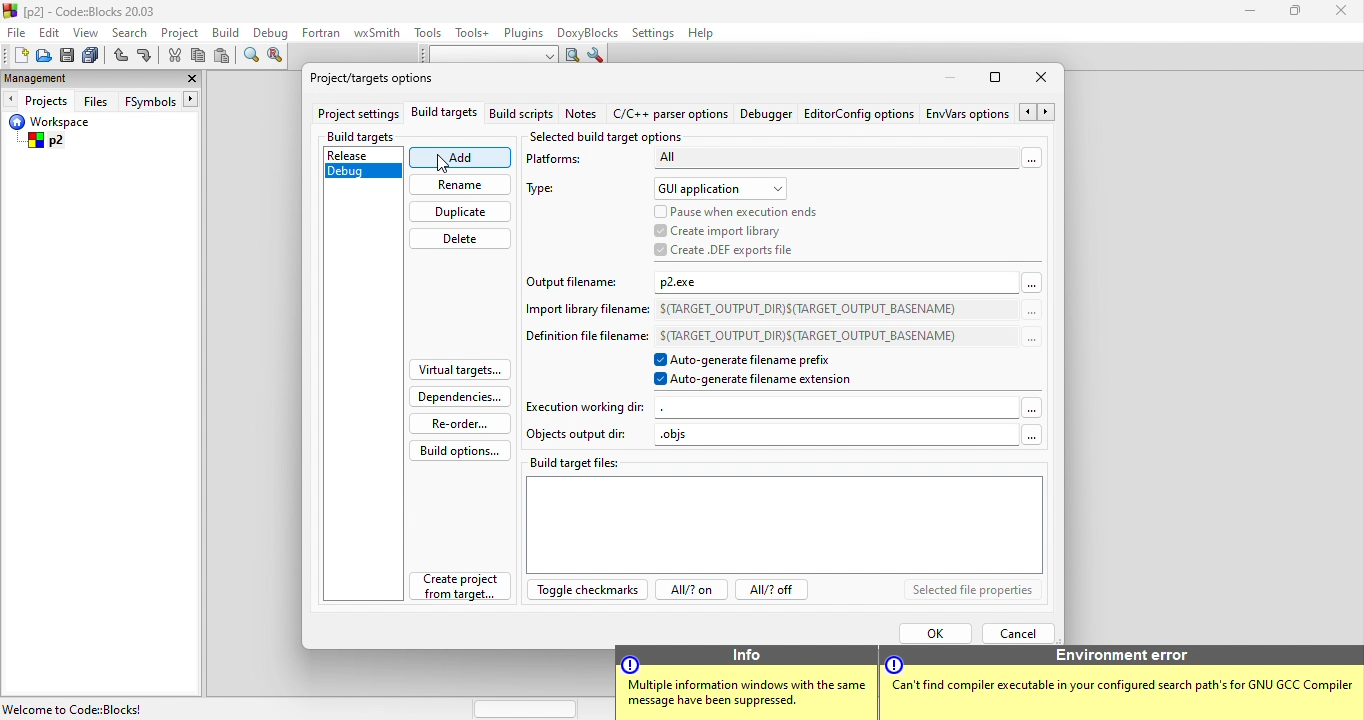 This screenshot has height=720, width=1364. Describe the element at coordinates (1041, 78) in the screenshot. I see `close` at that location.